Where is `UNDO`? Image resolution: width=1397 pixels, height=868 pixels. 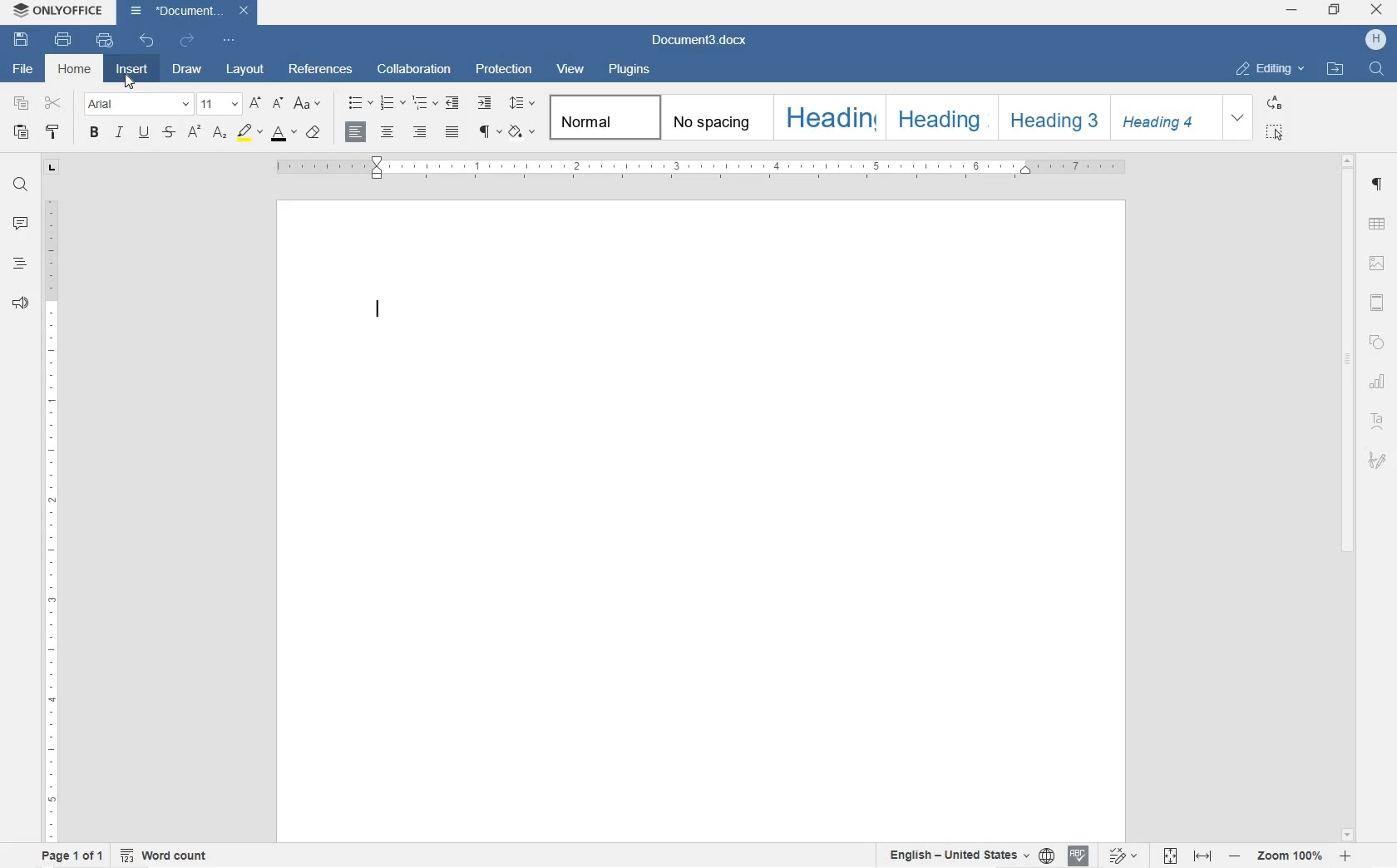 UNDO is located at coordinates (147, 42).